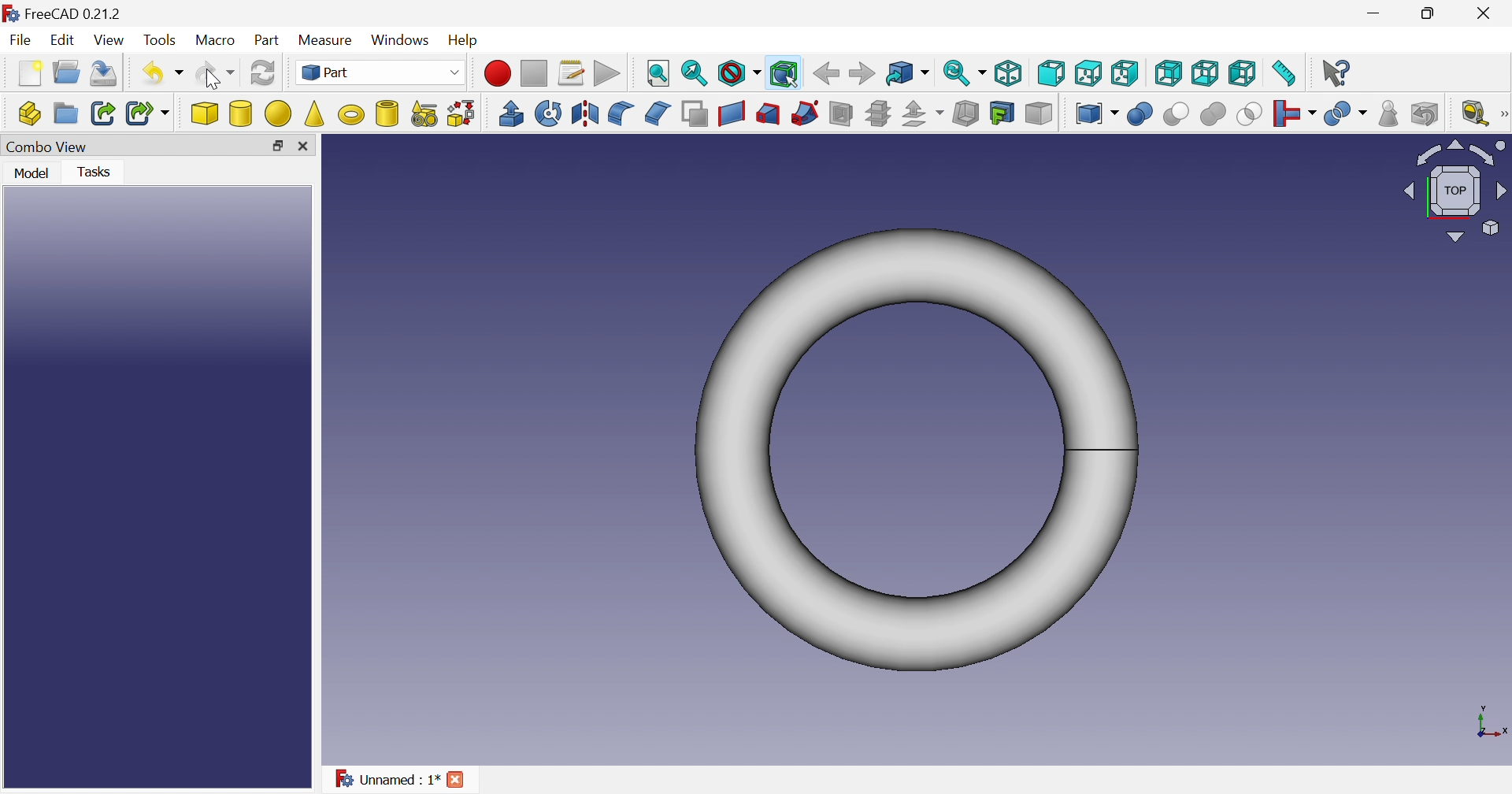 Image resolution: width=1512 pixels, height=794 pixels. Describe the element at coordinates (769, 113) in the screenshot. I see `Loft...` at that location.